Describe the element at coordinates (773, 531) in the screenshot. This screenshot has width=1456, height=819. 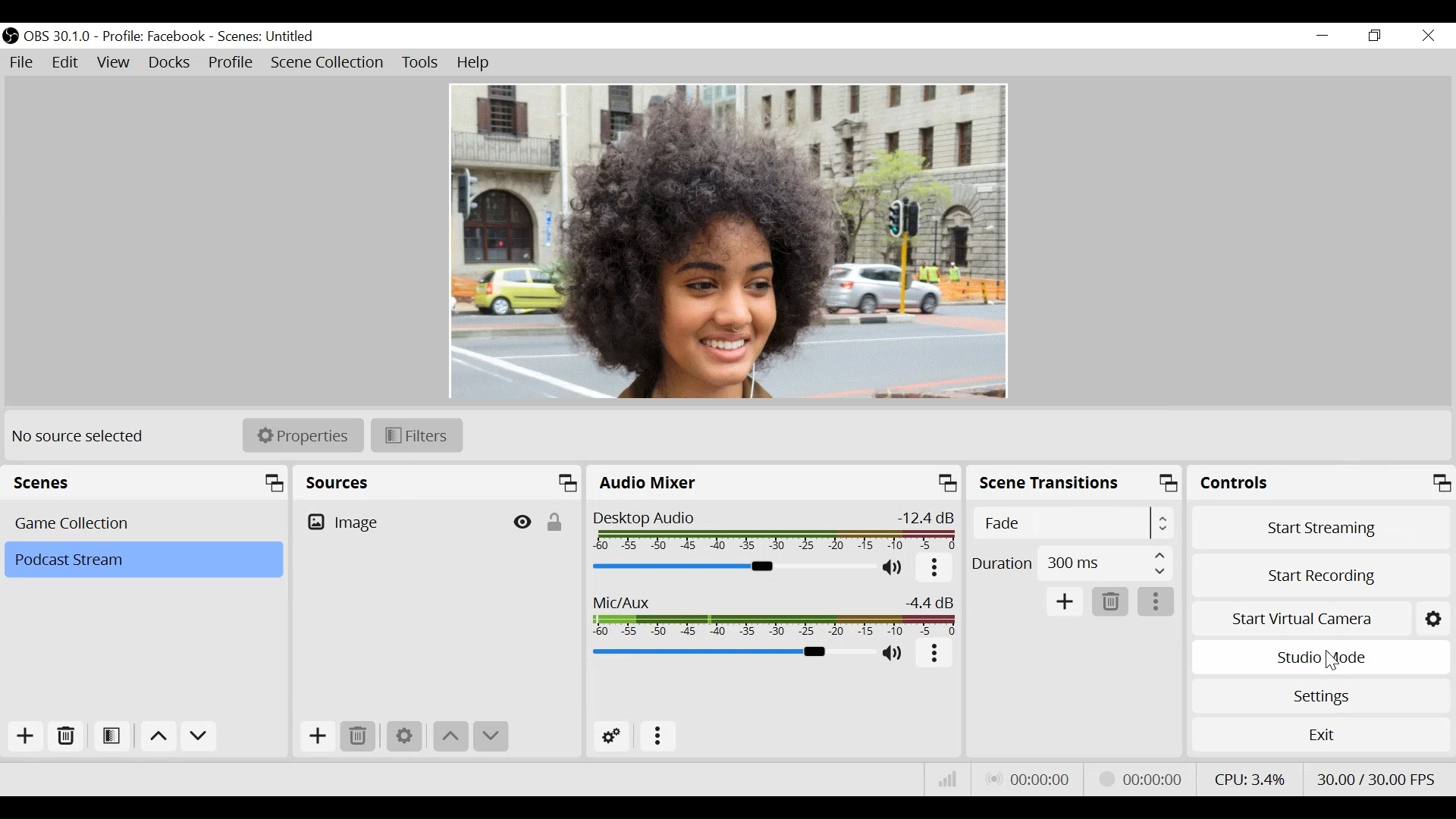
I see `Desktop Audio` at that location.